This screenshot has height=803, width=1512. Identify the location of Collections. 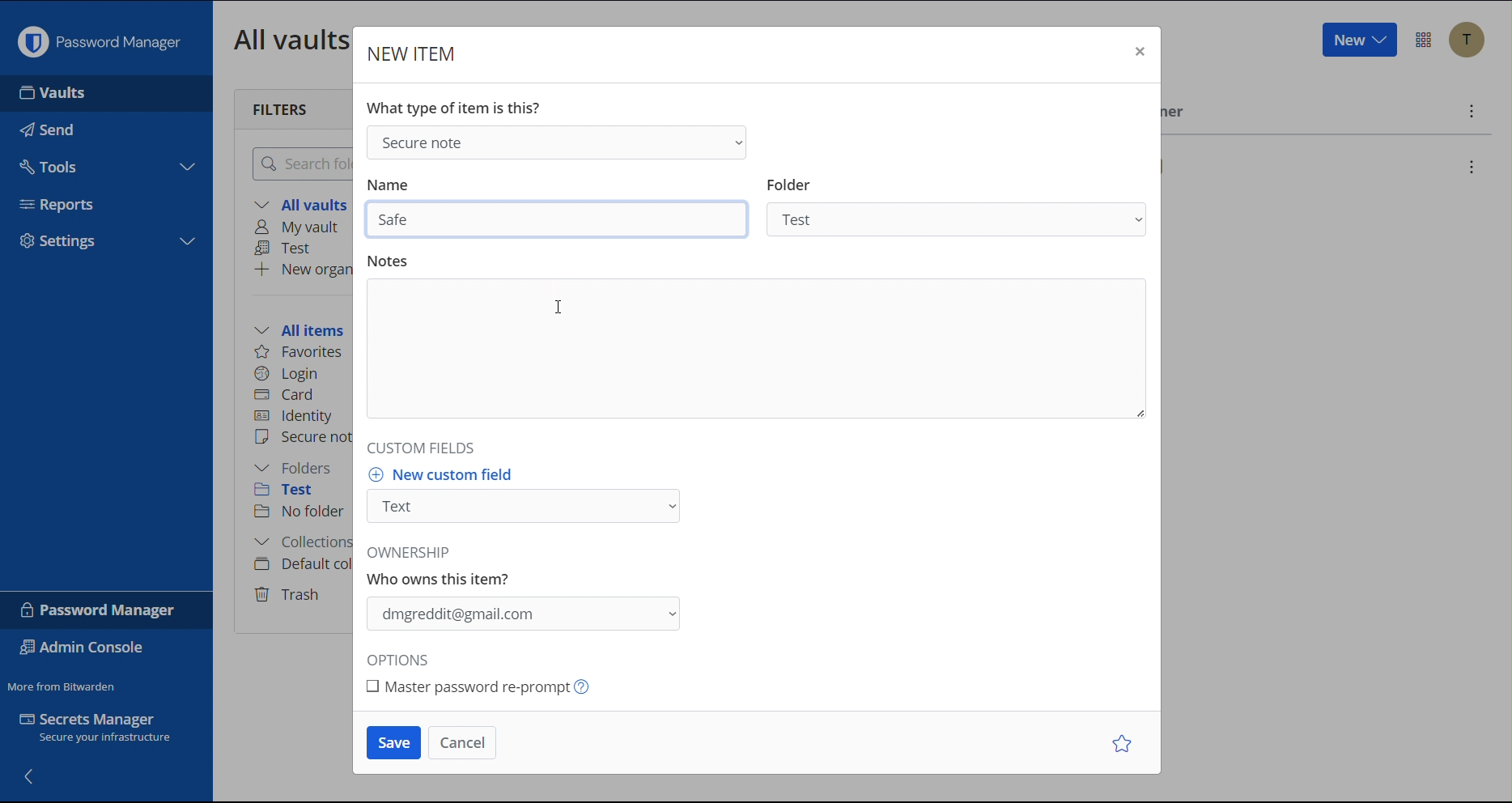
(299, 544).